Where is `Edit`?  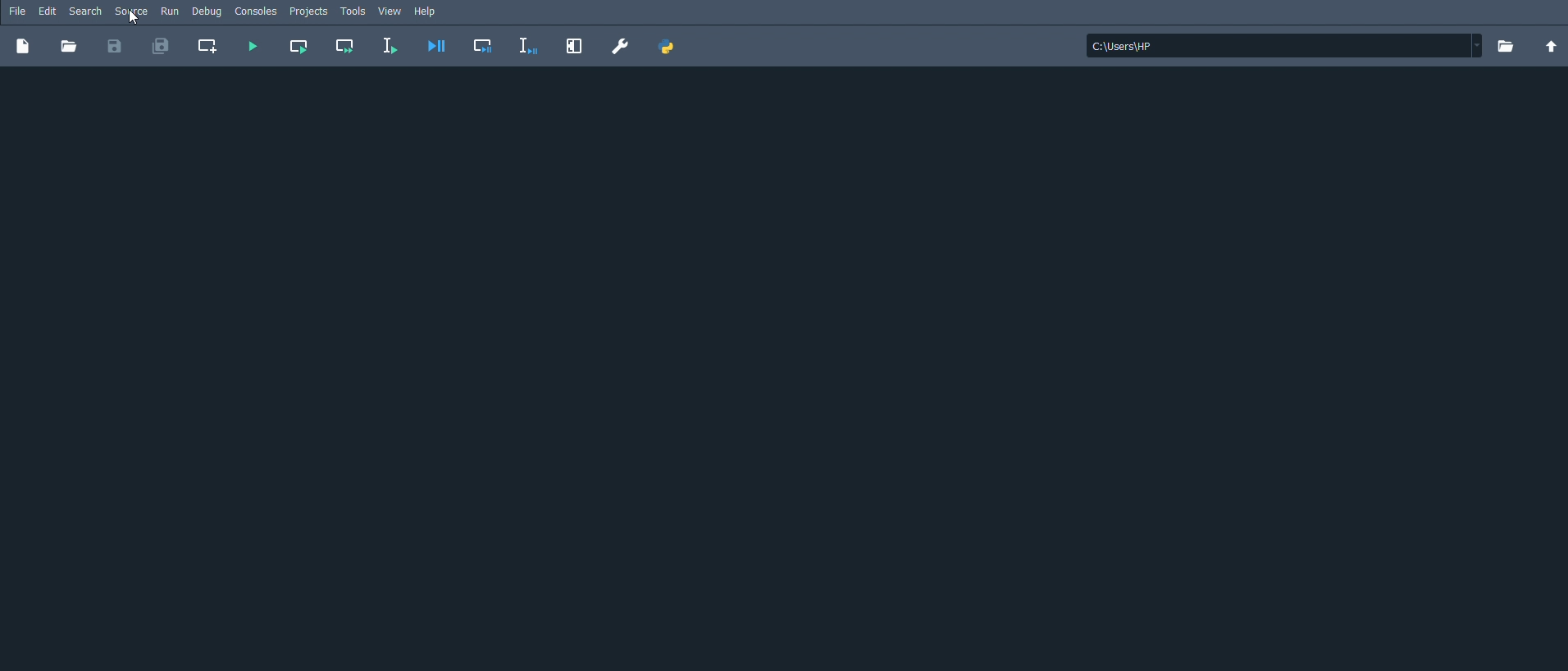
Edit is located at coordinates (49, 11).